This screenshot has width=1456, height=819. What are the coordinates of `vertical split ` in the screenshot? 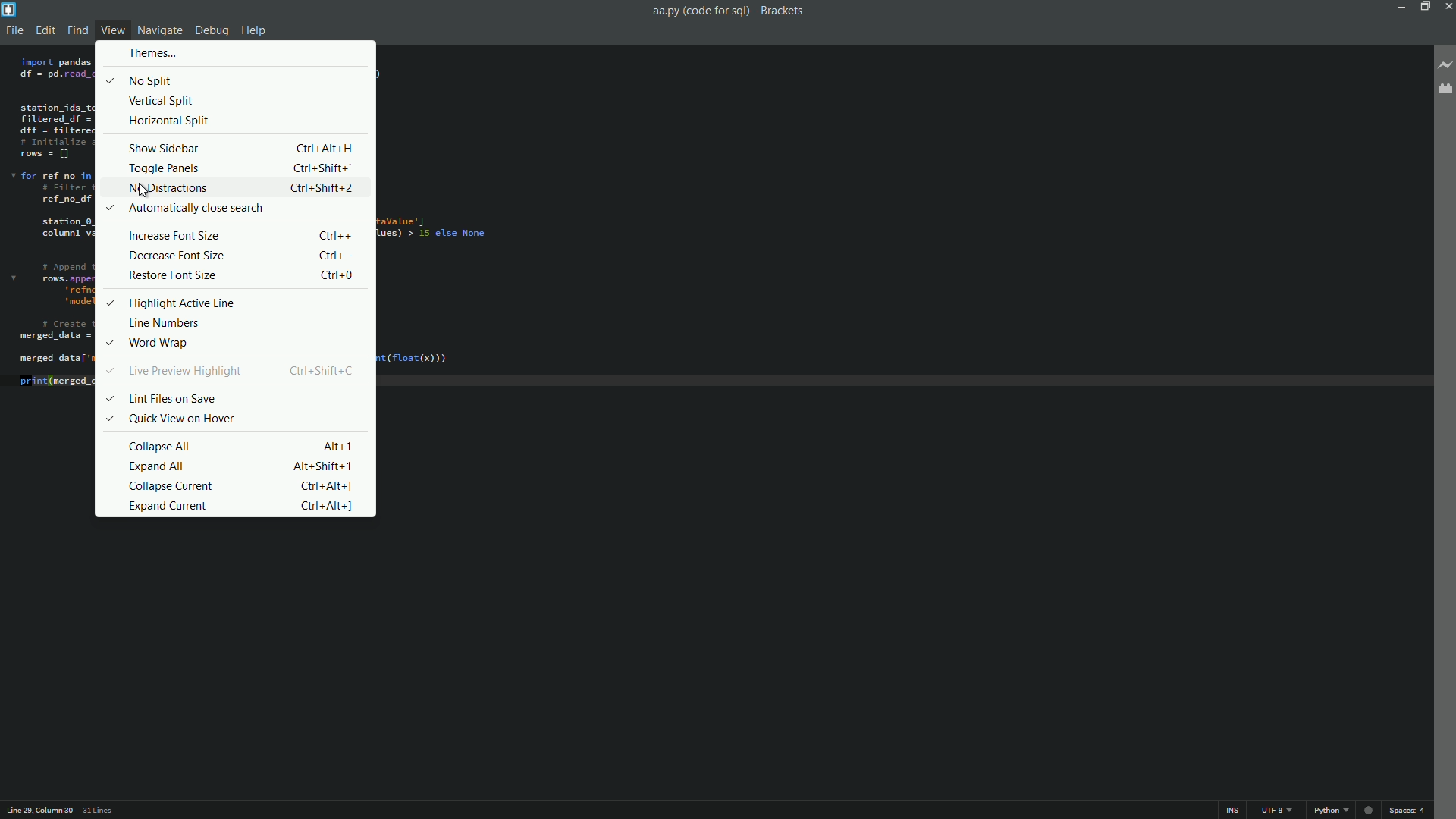 It's located at (240, 100).